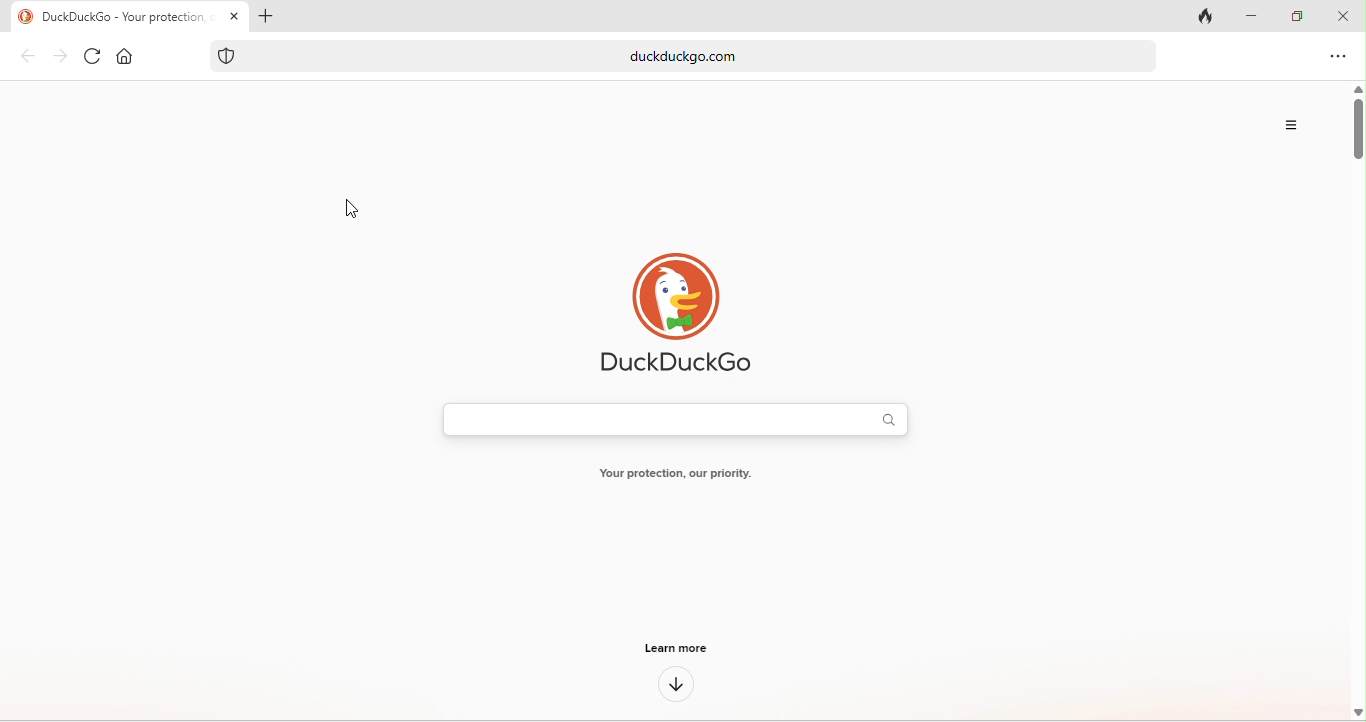 This screenshot has width=1366, height=722. What do you see at coordinates (686, 475) in the screenshot?
I see `text` at bounding box center [686, 475].